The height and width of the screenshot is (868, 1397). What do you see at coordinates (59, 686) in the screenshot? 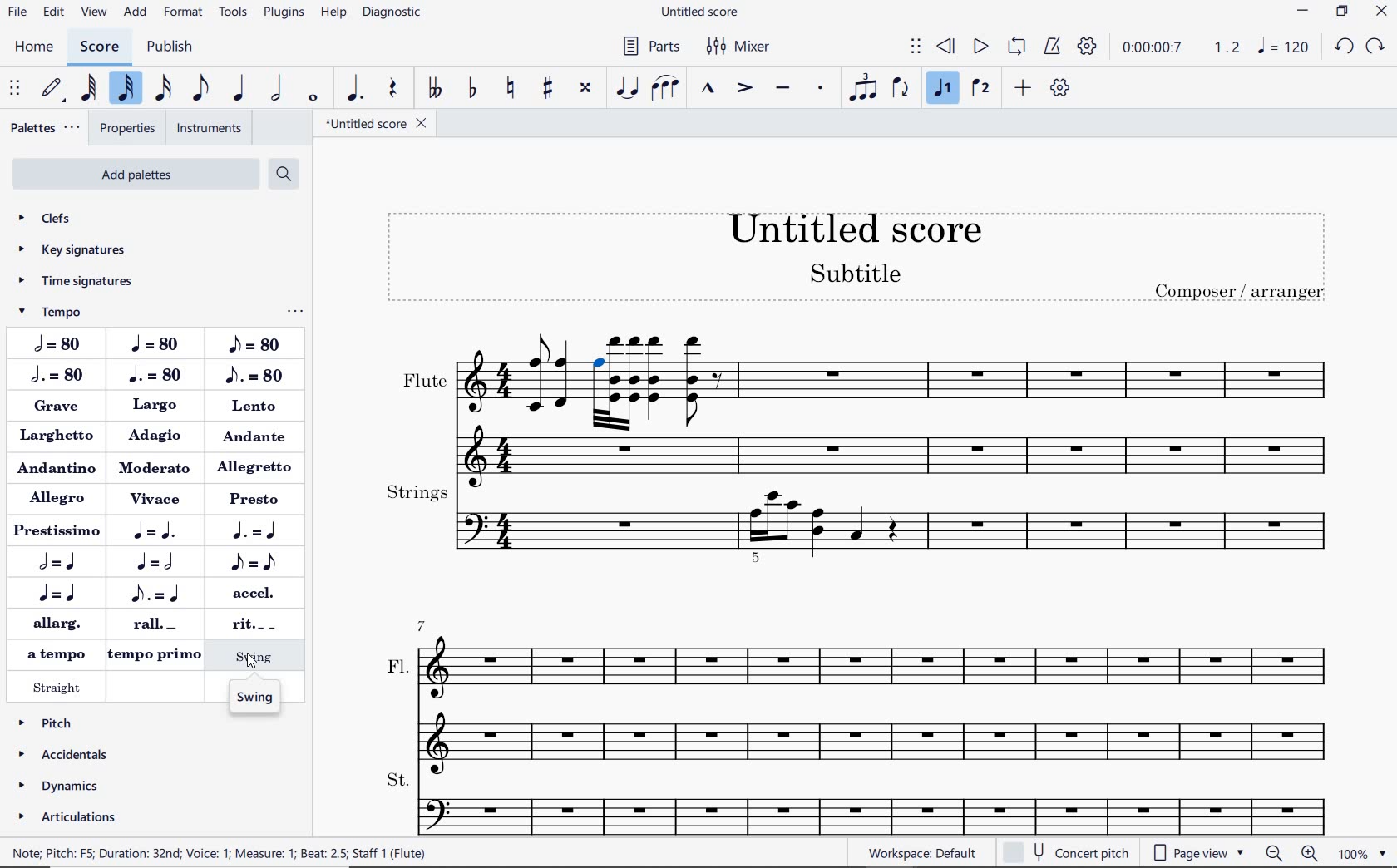
I see `STRAIGHT` at bounding box center [59, 686].